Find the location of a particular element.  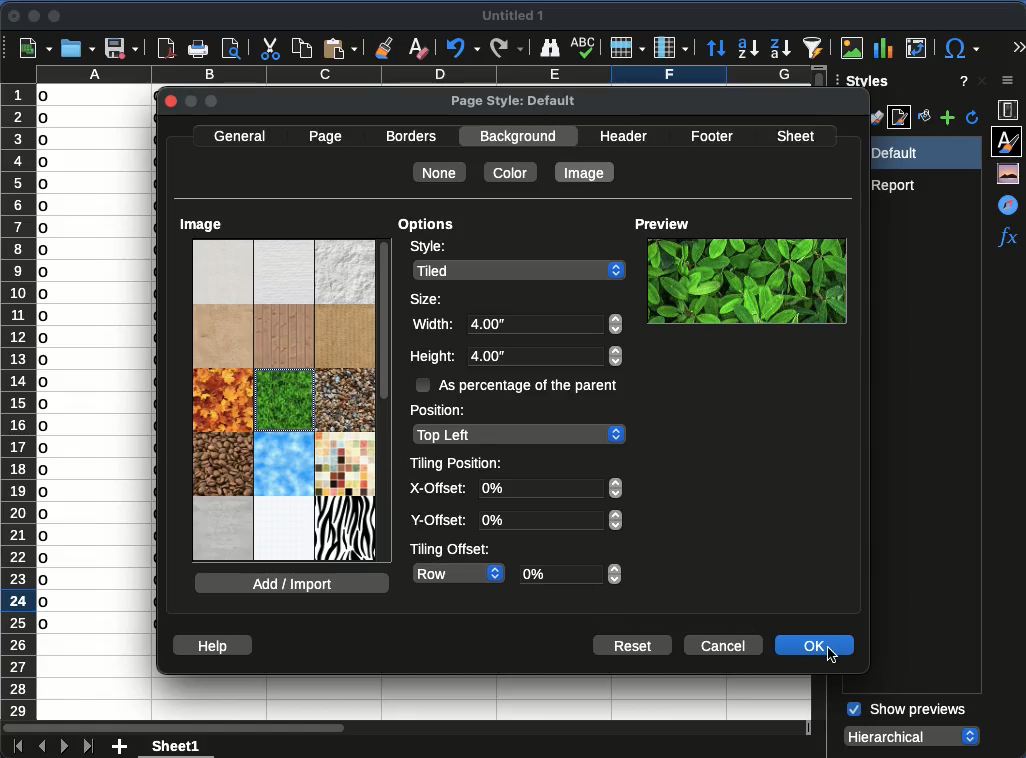

color is located at coordinates (511, 172).